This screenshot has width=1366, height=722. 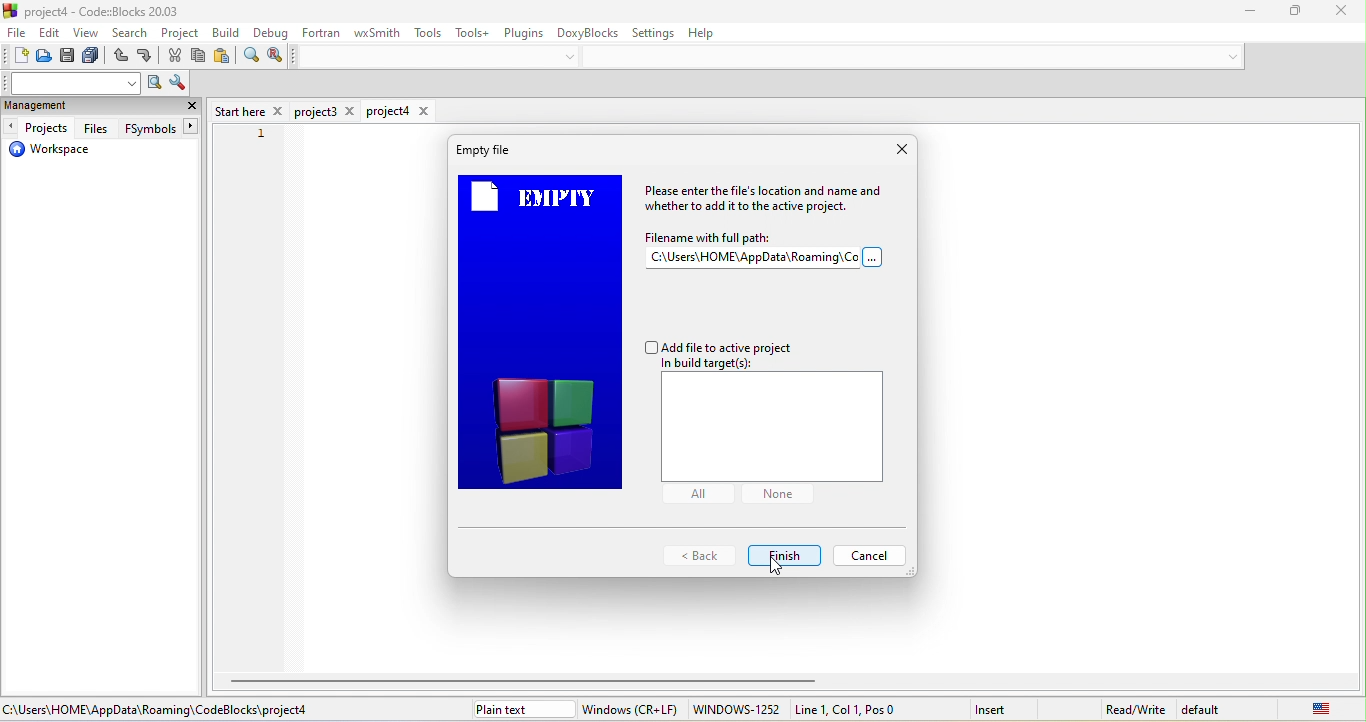 What do you see at coordinates (51, 34) in the screenshot?
I see `edit` at bounding box center [51, 34].